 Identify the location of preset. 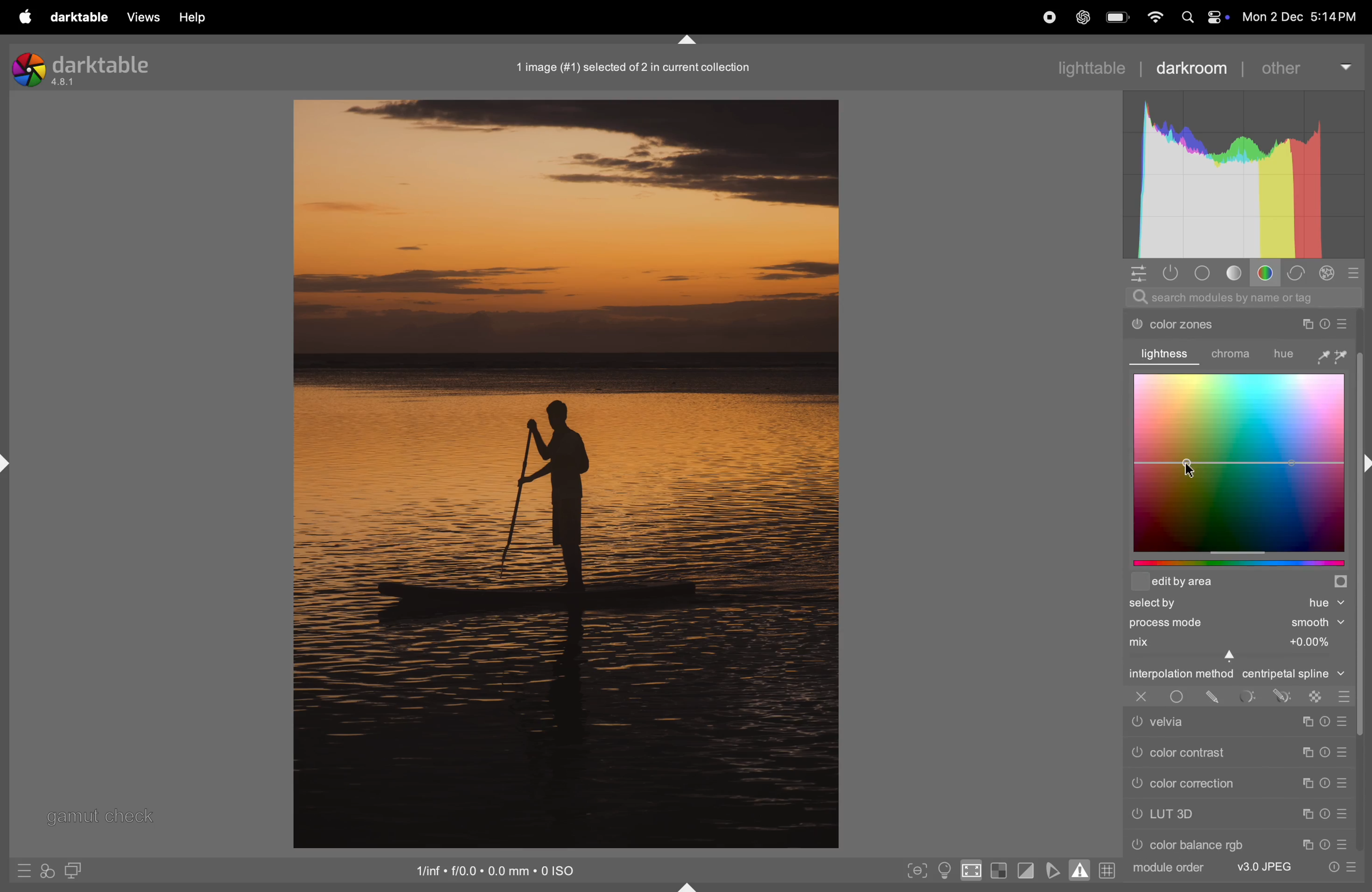
(1342, 815).